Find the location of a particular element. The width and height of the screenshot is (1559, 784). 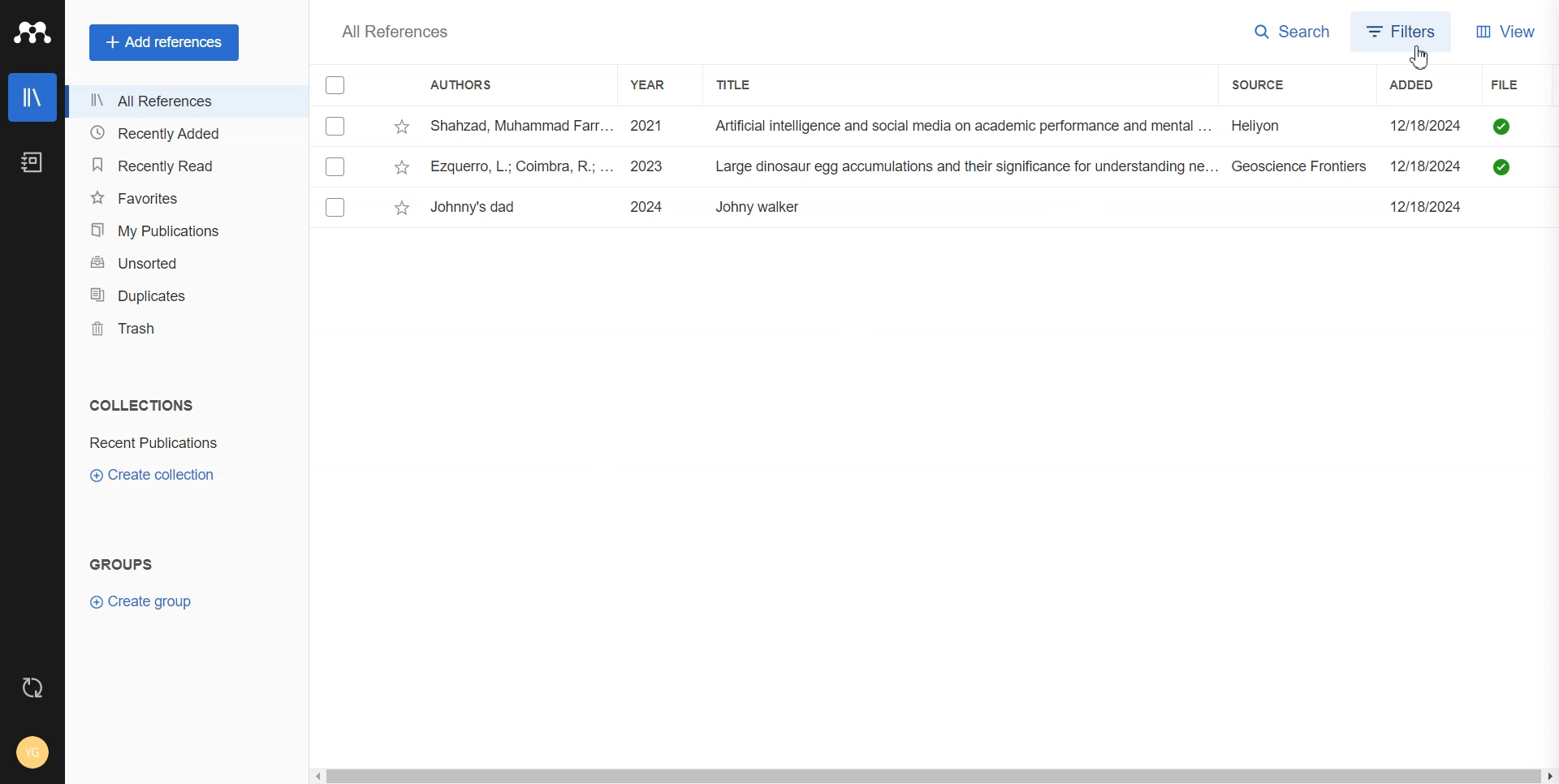

Shahzad, Muhammad Farr... 2021 Artificial intelligence and social media on academic performance and mental ...  Heliyon 12/18/2024 is located at coordinates (952, 127).